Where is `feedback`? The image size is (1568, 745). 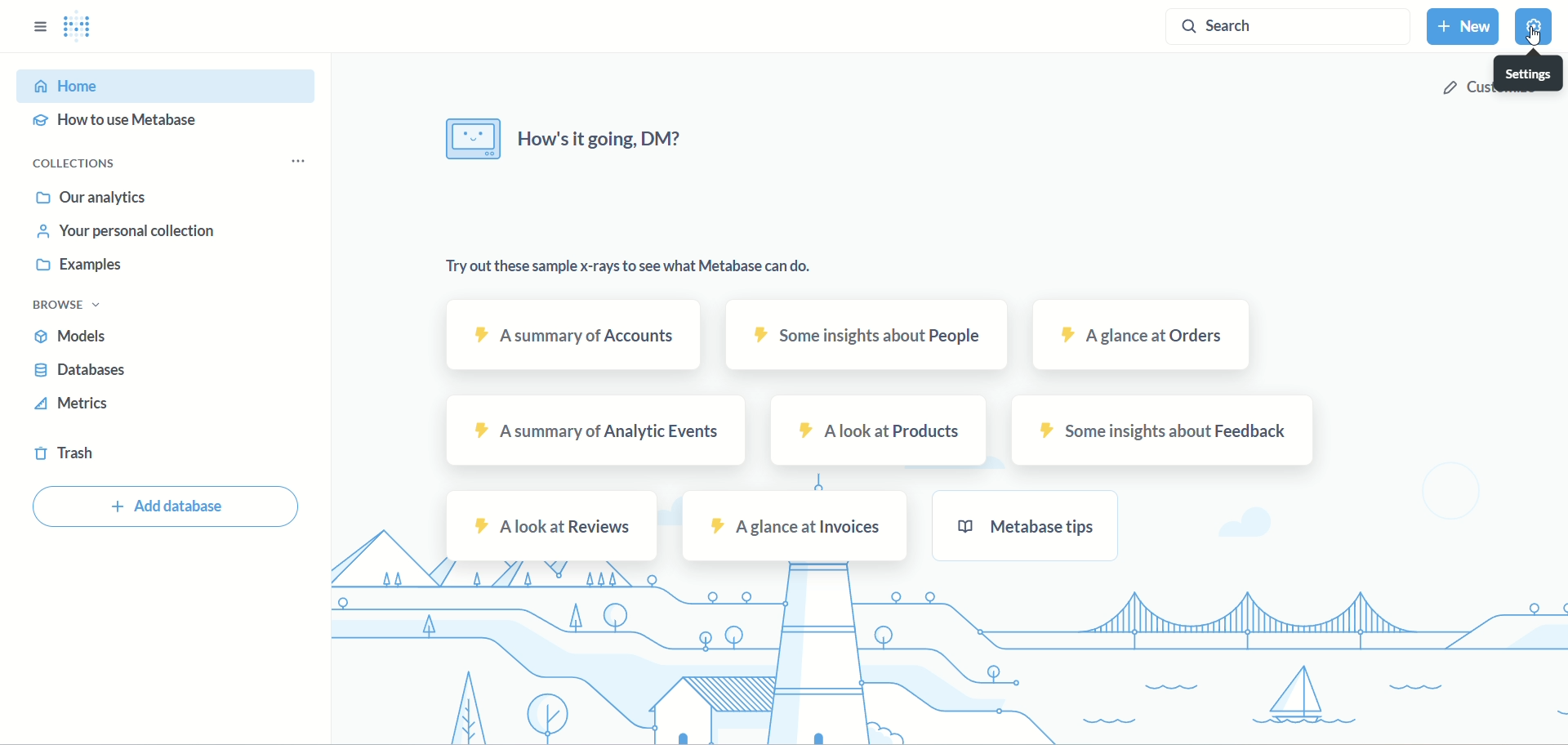 feedback is located at coordinates (1165, 429).